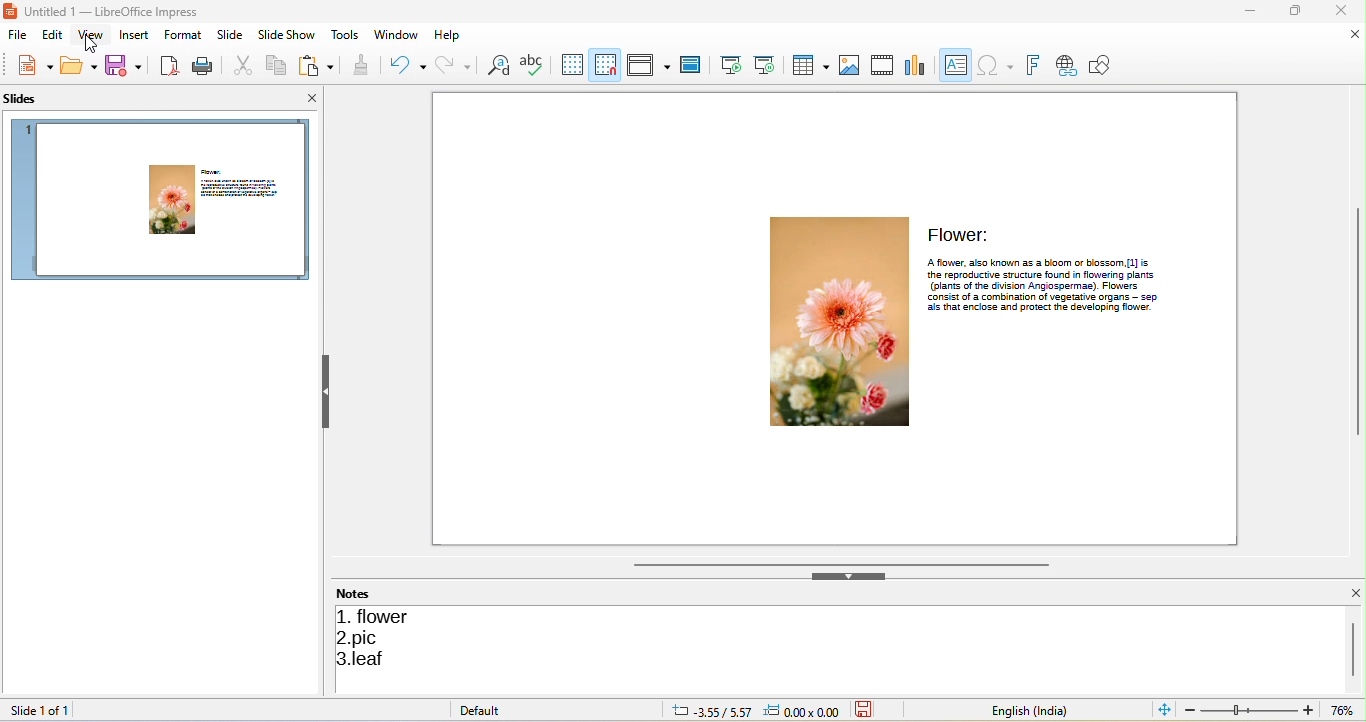 The width and height of the screenshot is (1366, 722). What do you see at coordinates (607, 65) in the screenshot?
I see `snap grids` at bounding box center [607, 65].